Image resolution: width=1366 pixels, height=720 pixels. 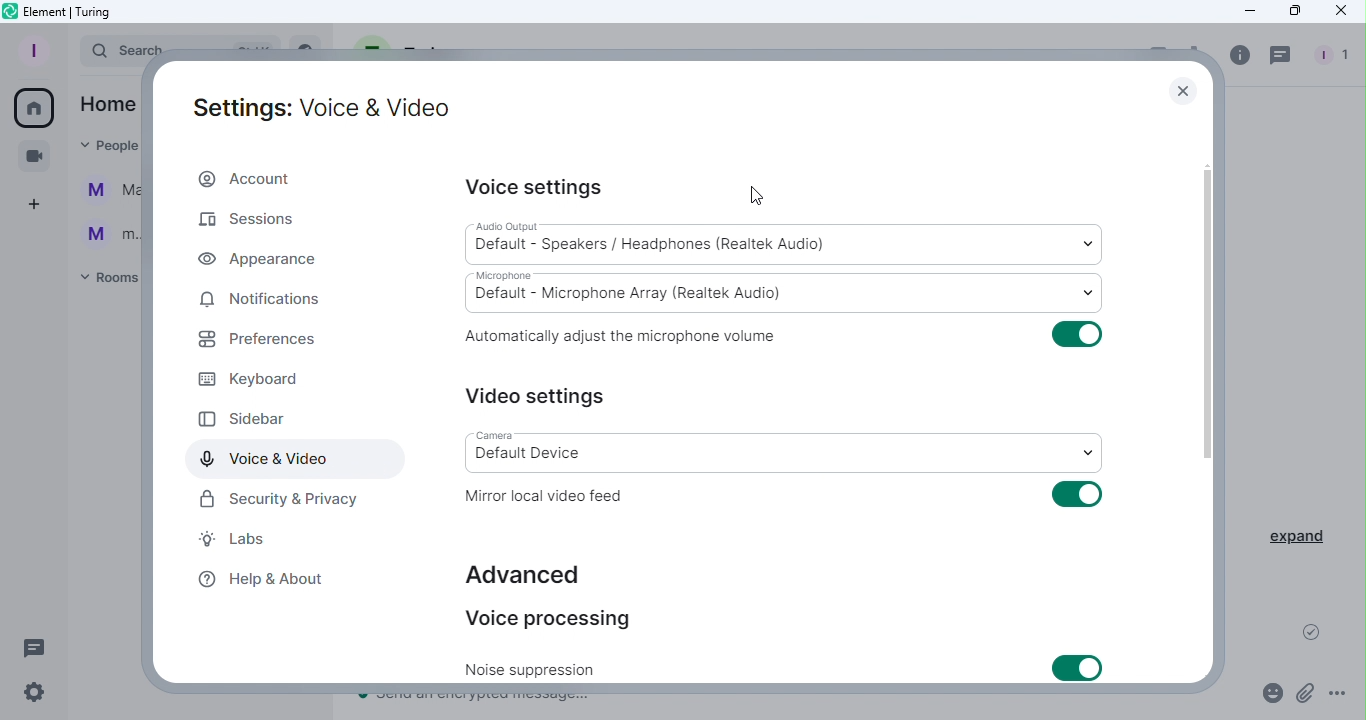 What do you see at coordinates (790, 449) in the screenshot?
I see `Camera` at bounding box center [790, 449].